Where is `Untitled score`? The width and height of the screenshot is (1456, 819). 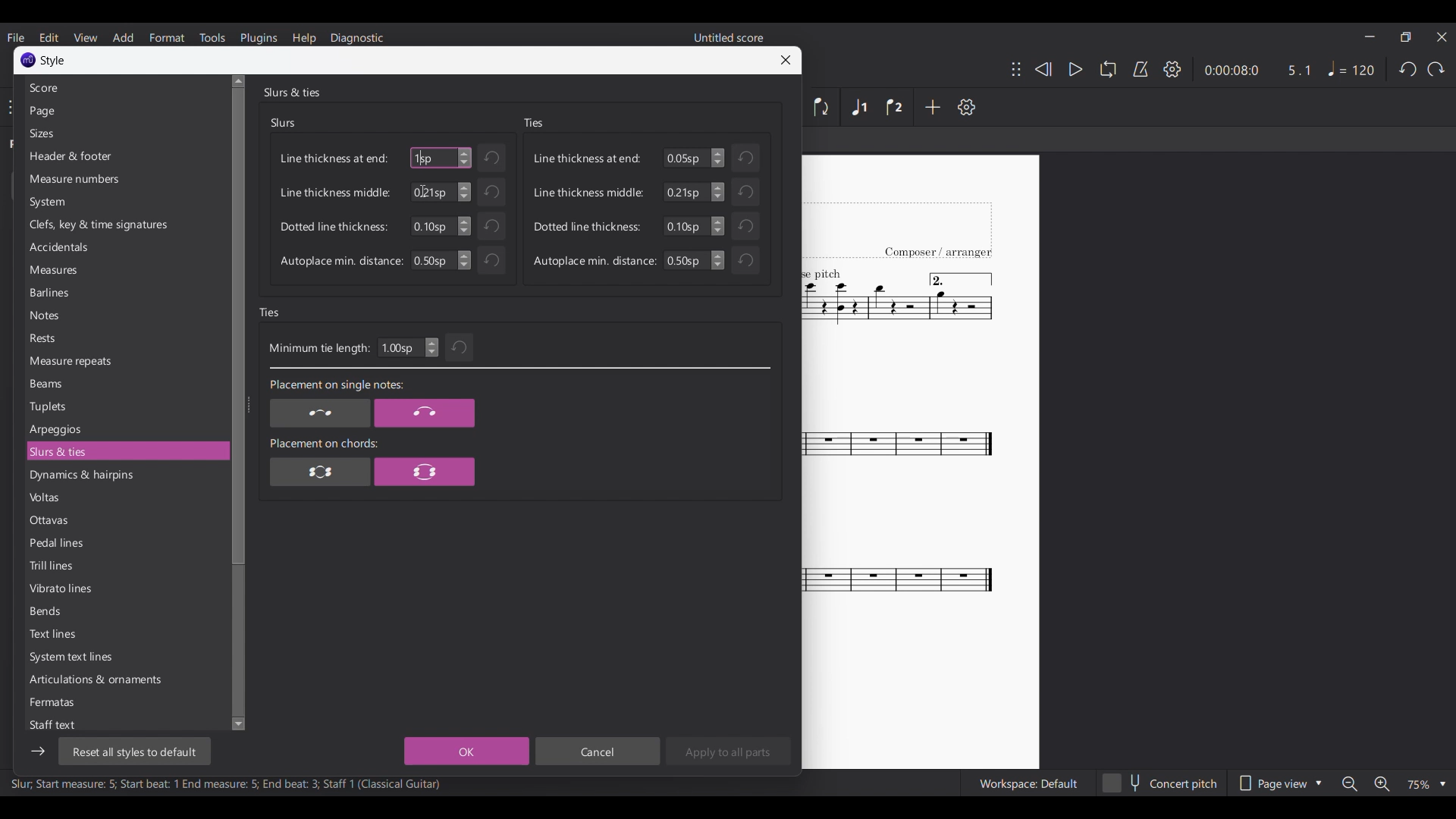 Untitled score is located at coordinates (729, 37).